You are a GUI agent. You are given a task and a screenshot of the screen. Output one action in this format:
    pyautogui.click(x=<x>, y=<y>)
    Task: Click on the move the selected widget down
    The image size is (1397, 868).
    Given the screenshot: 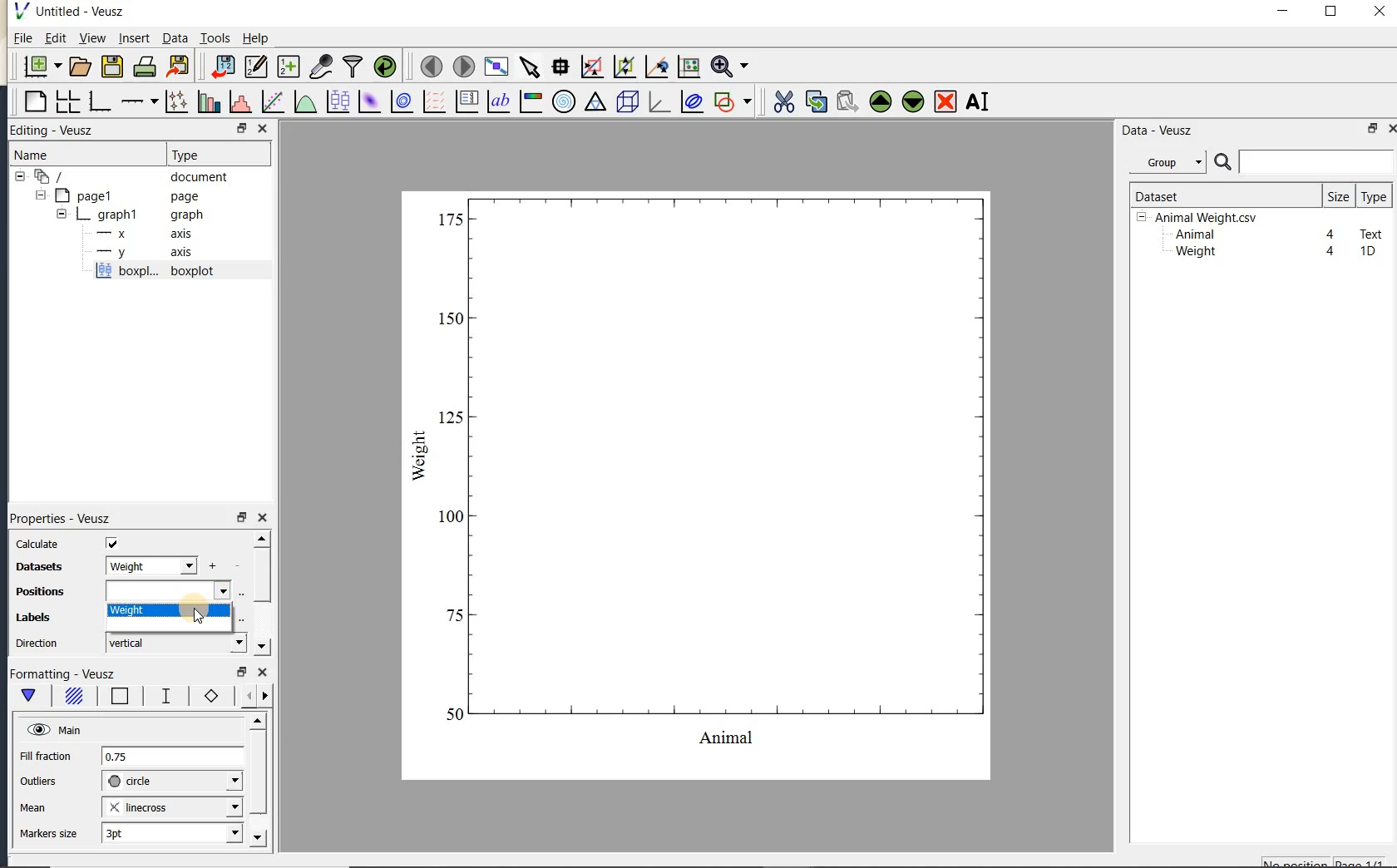 What is the action you would take?
    pyautogui.click(x=913, y=101)
    